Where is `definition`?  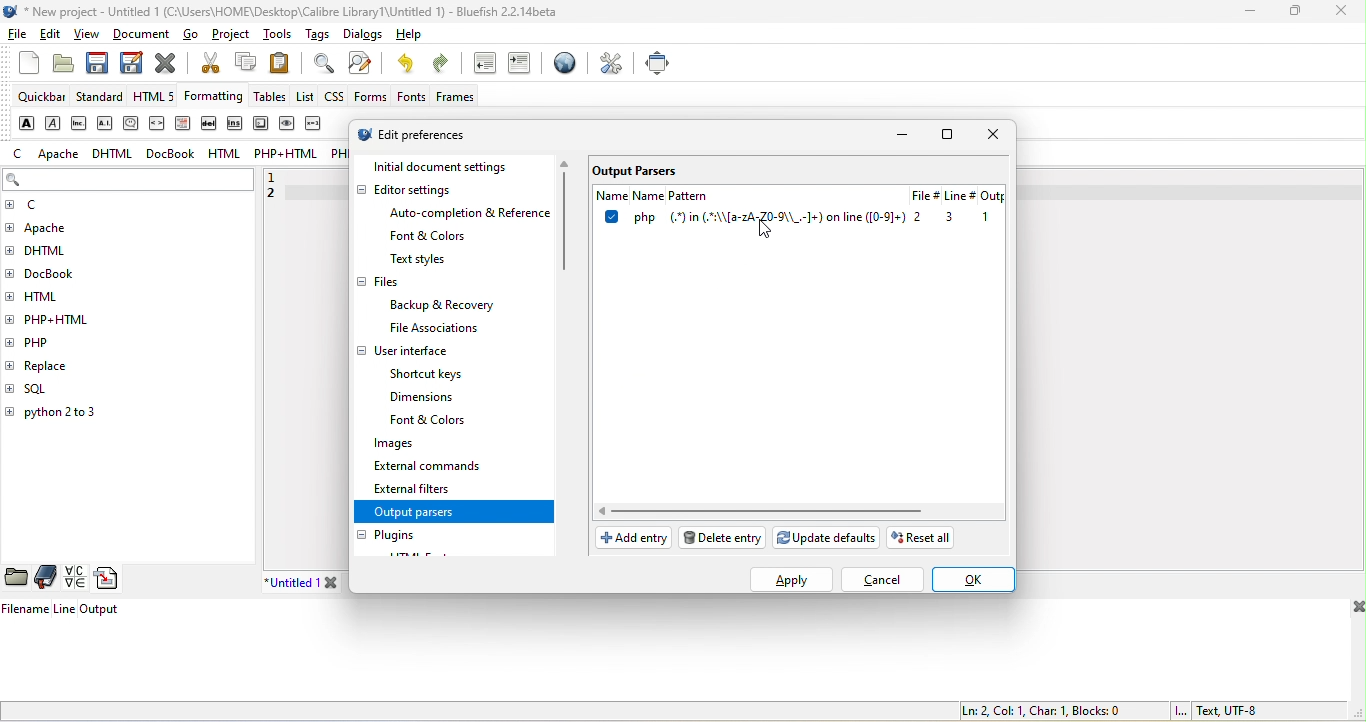 definition is located at coordinates (184, 124).